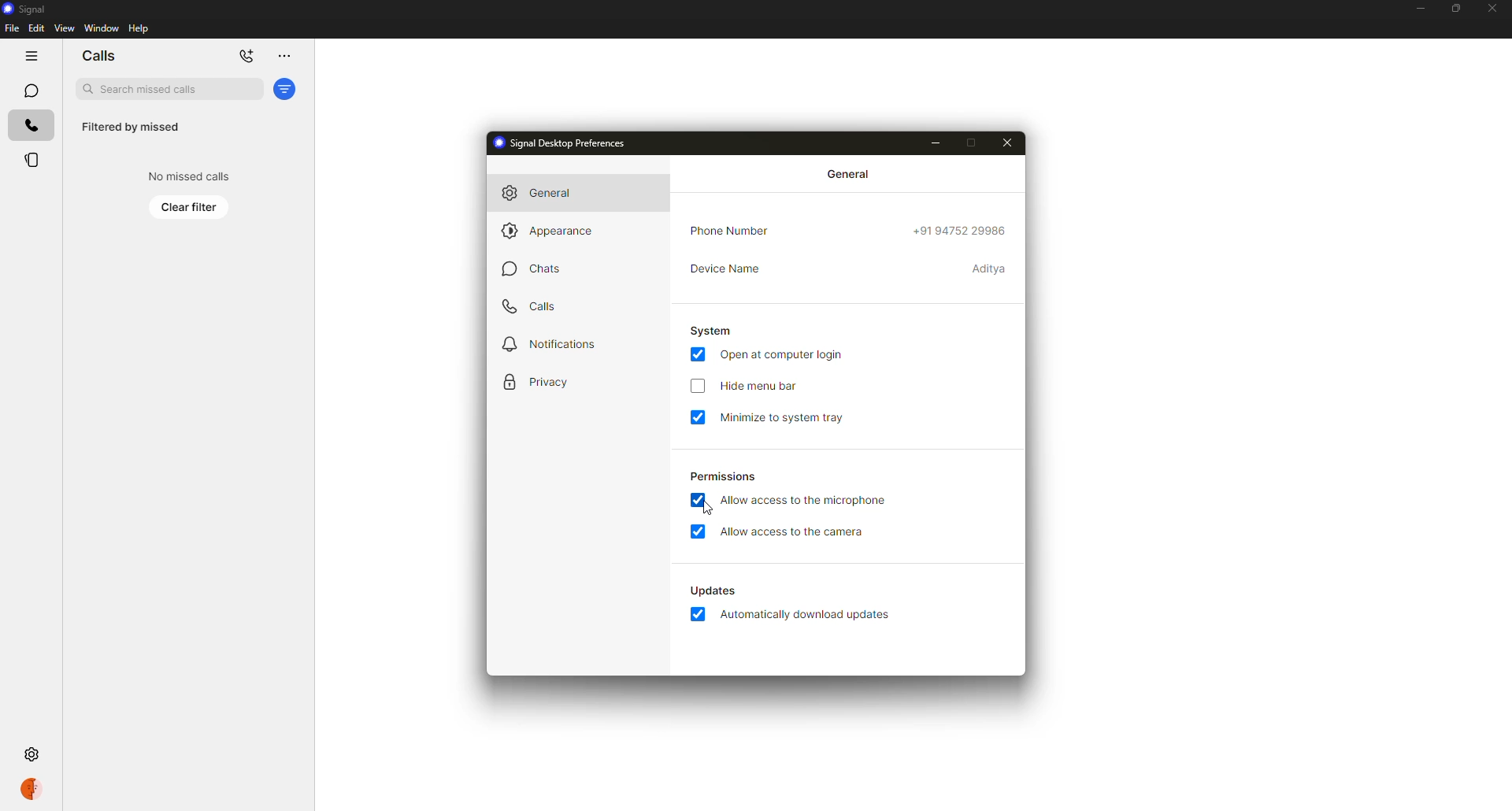 Image resolution: width=1512 pixels, height=811 pixels. Describe the element at coordinates (12, 29) in the screenshot. I see `file` at that location.